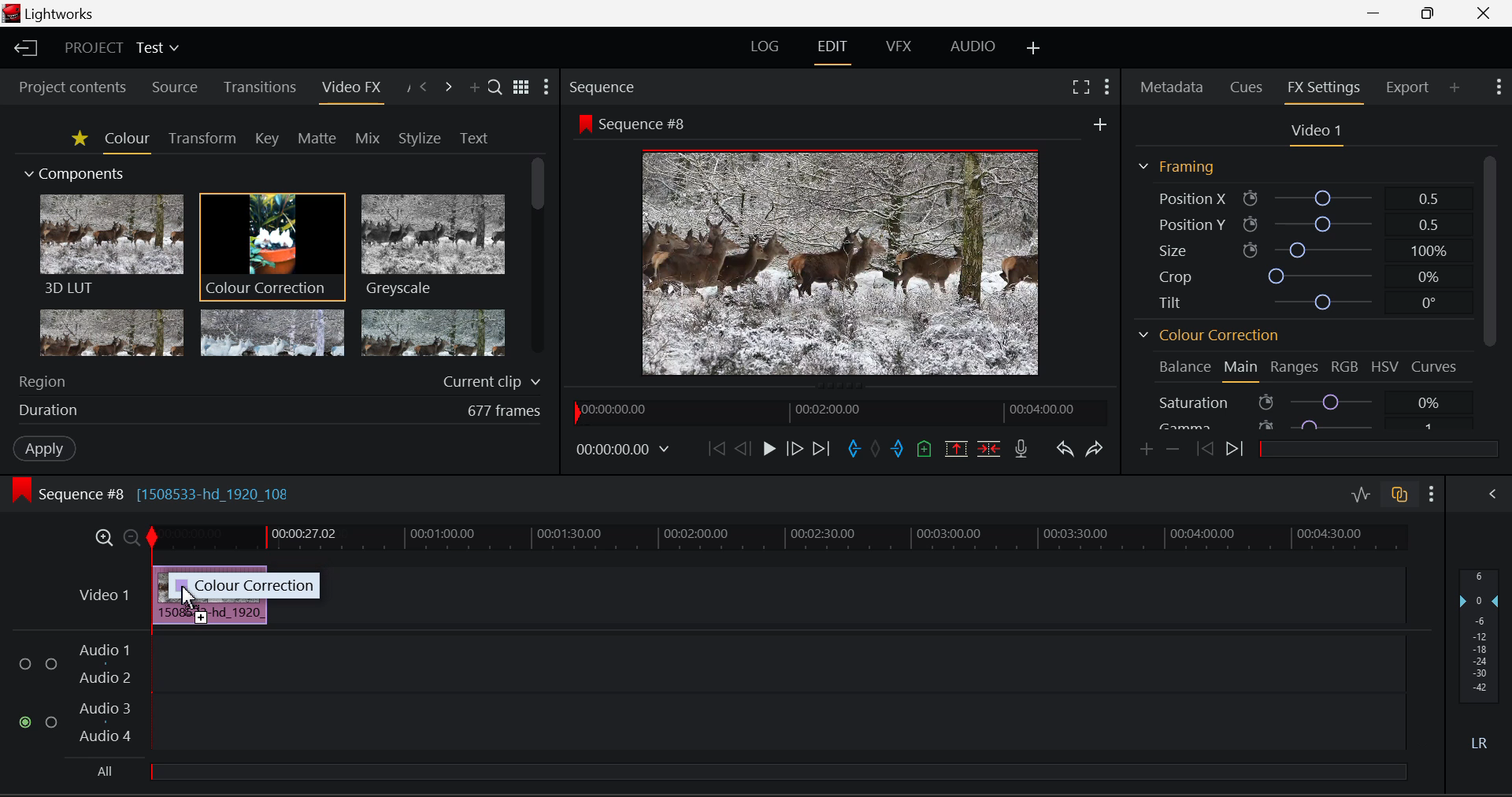 The height and width of the screenshot is (797, 1512). Describe the element at coordinates (113, 332) in the screenshot. I see `Glow` at that location.